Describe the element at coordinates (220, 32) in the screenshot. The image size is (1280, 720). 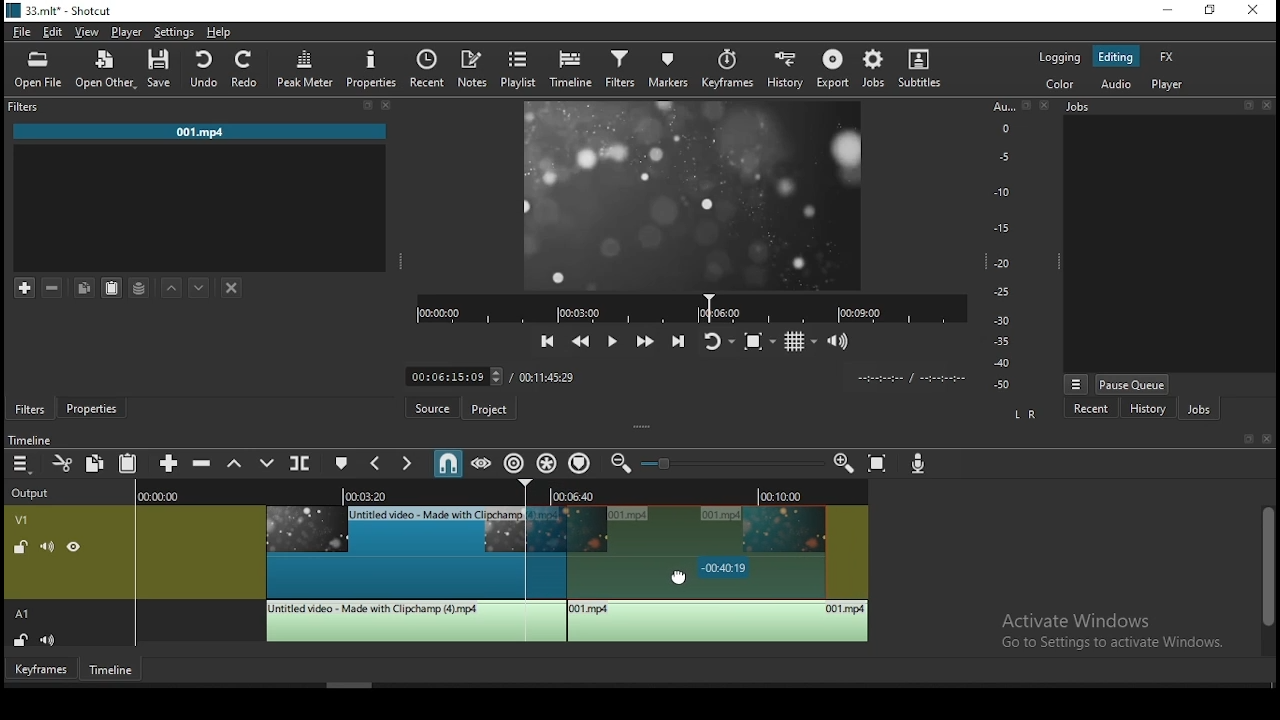
I see `help` at that location.